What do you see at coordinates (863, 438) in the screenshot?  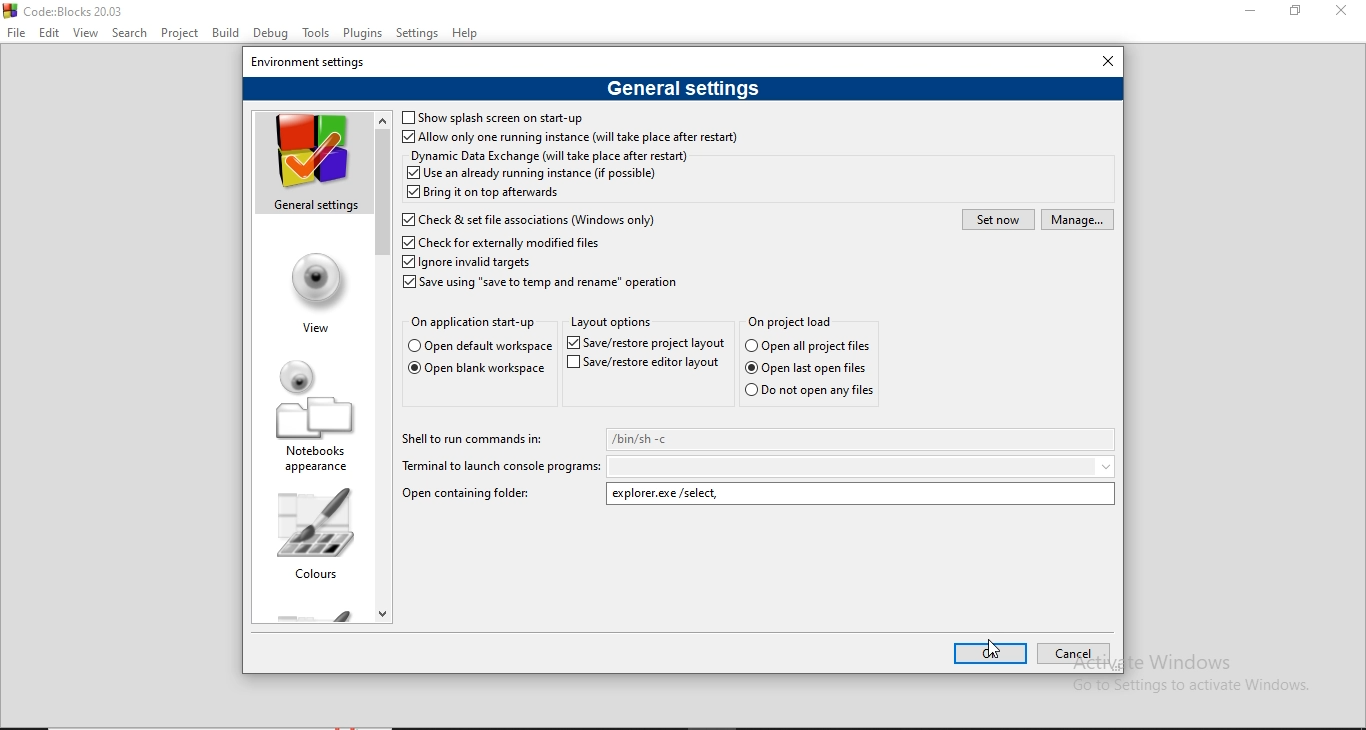 I see `/bin/sh-c` at bounding box center [863, 438].